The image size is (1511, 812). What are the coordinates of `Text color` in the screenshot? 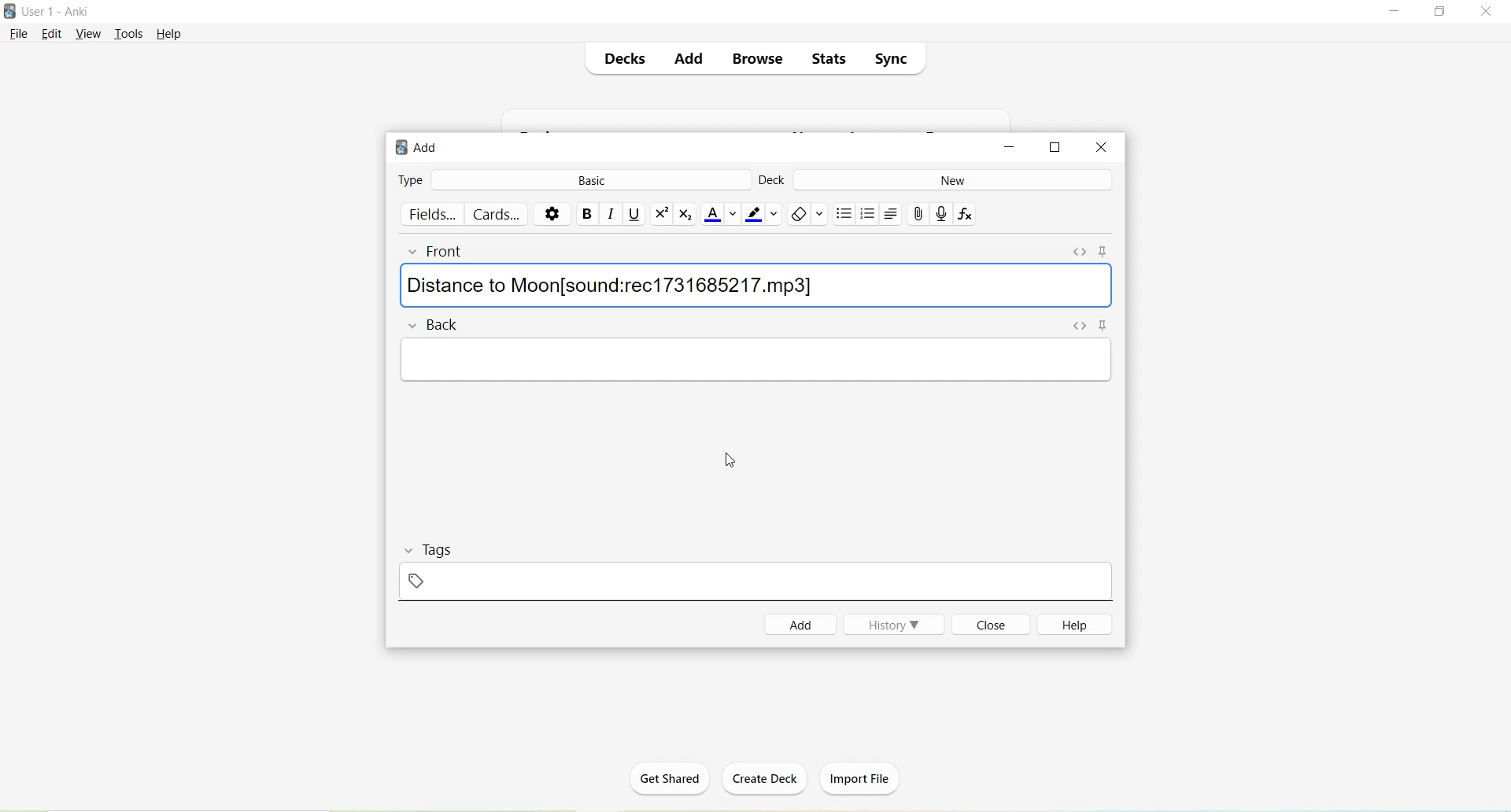 It's located at (721, 215).